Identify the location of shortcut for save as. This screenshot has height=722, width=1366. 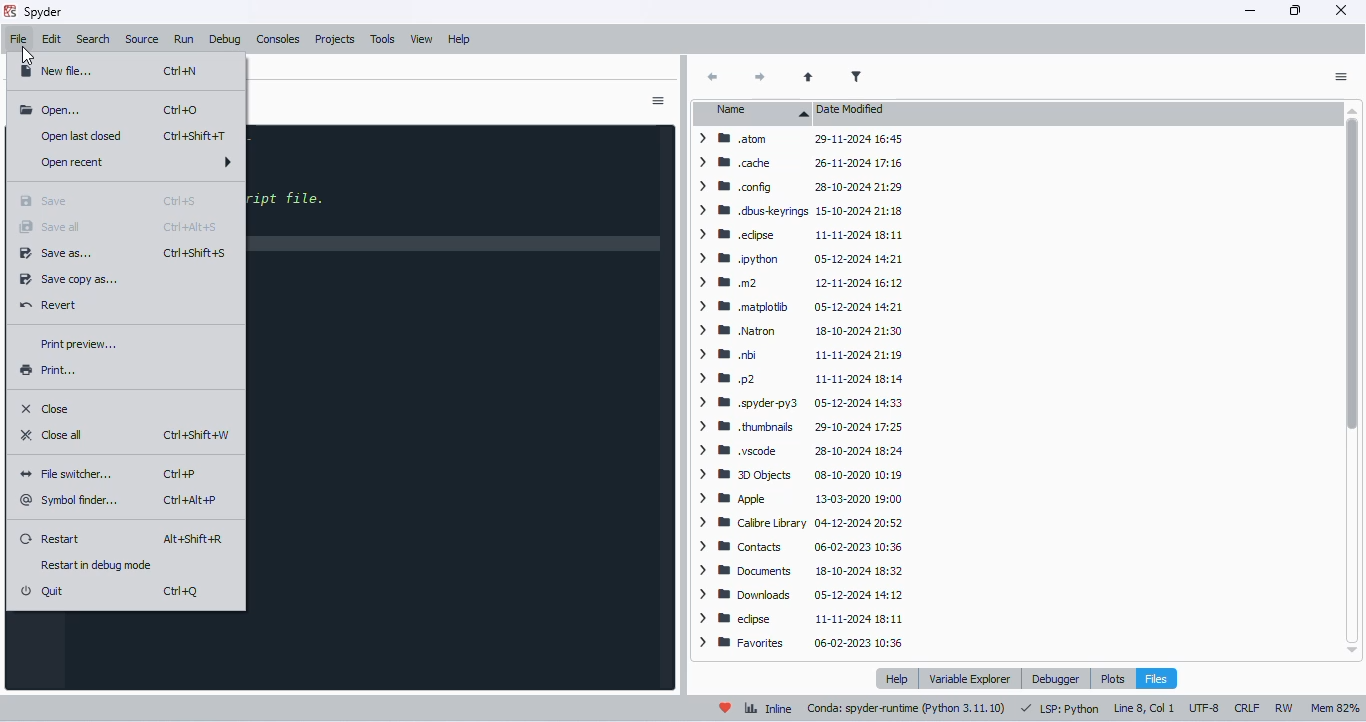
(196, 253).